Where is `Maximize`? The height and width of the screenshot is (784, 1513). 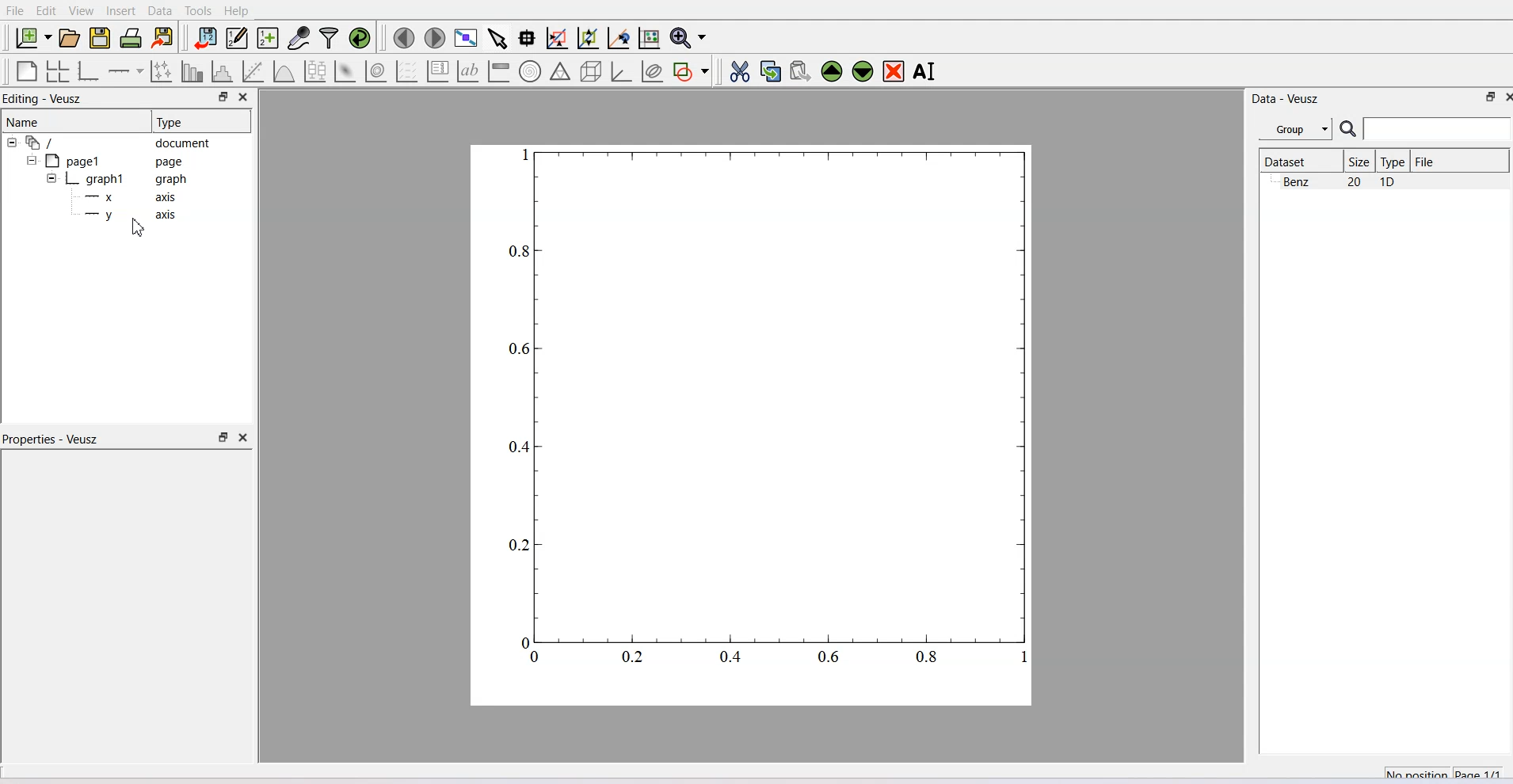 Maximize is located at coordinates (1492, 97).